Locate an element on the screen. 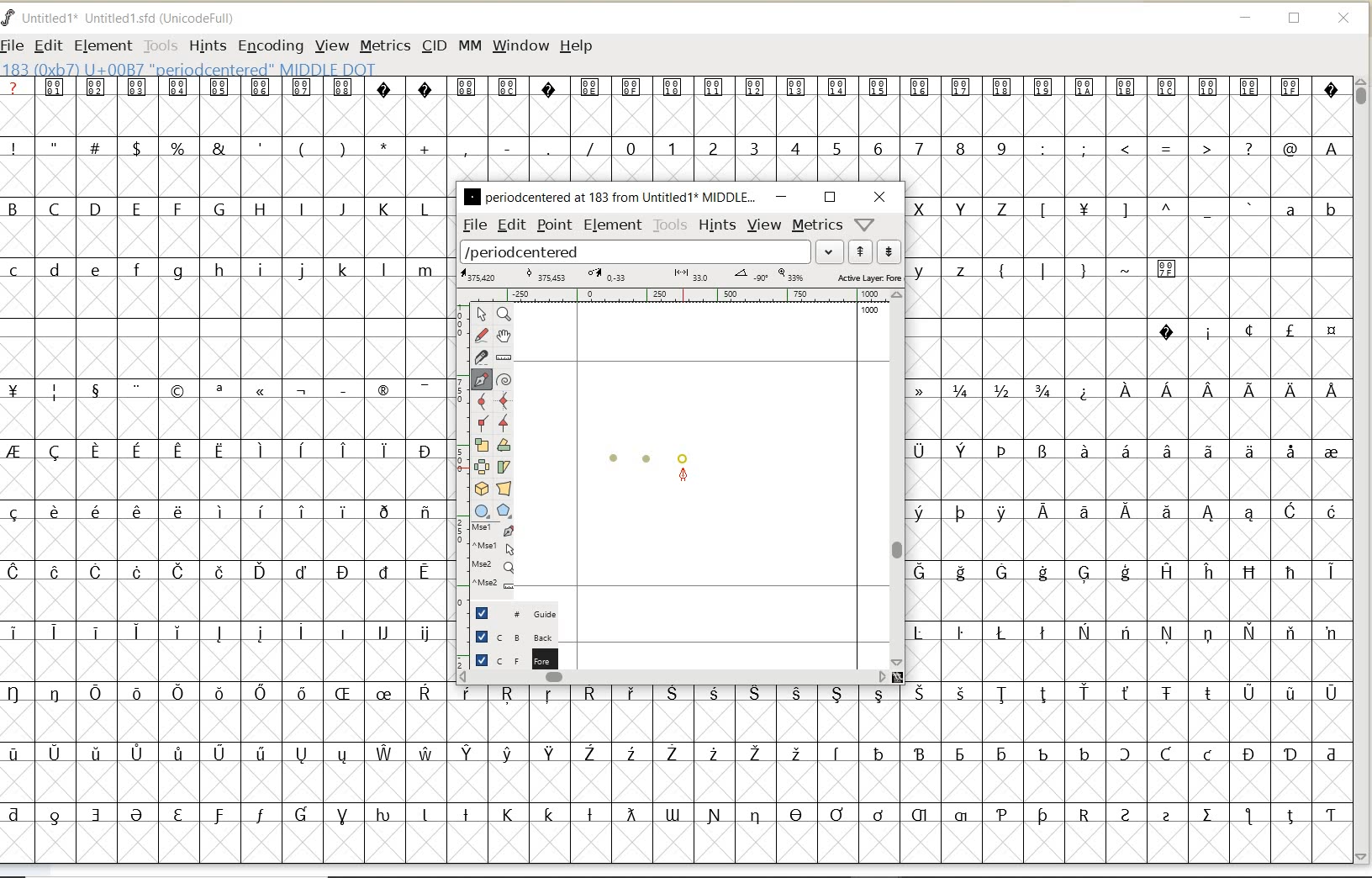 This screenshot has height=878, width=1372. dot is located at coordinates (614, 456).